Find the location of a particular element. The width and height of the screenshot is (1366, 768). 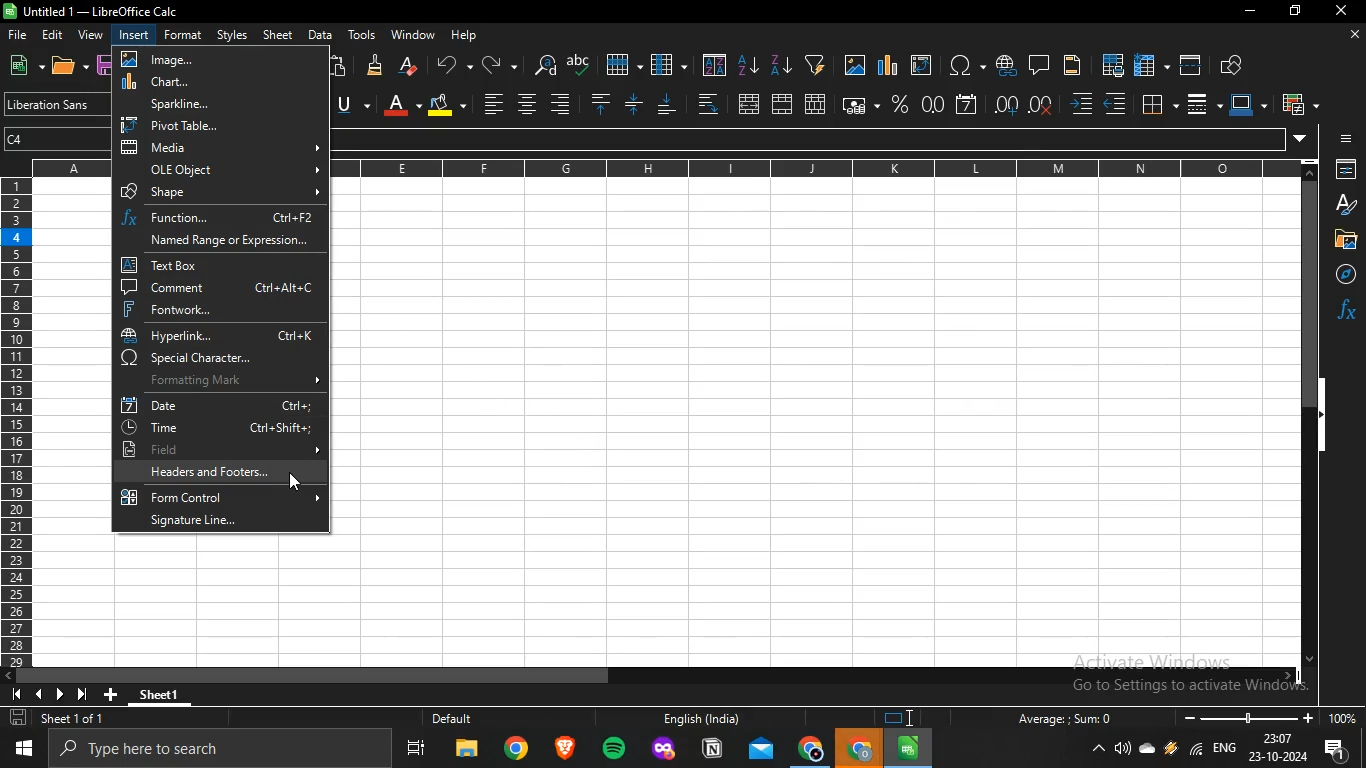

paste is located at coordinates (340, 65).